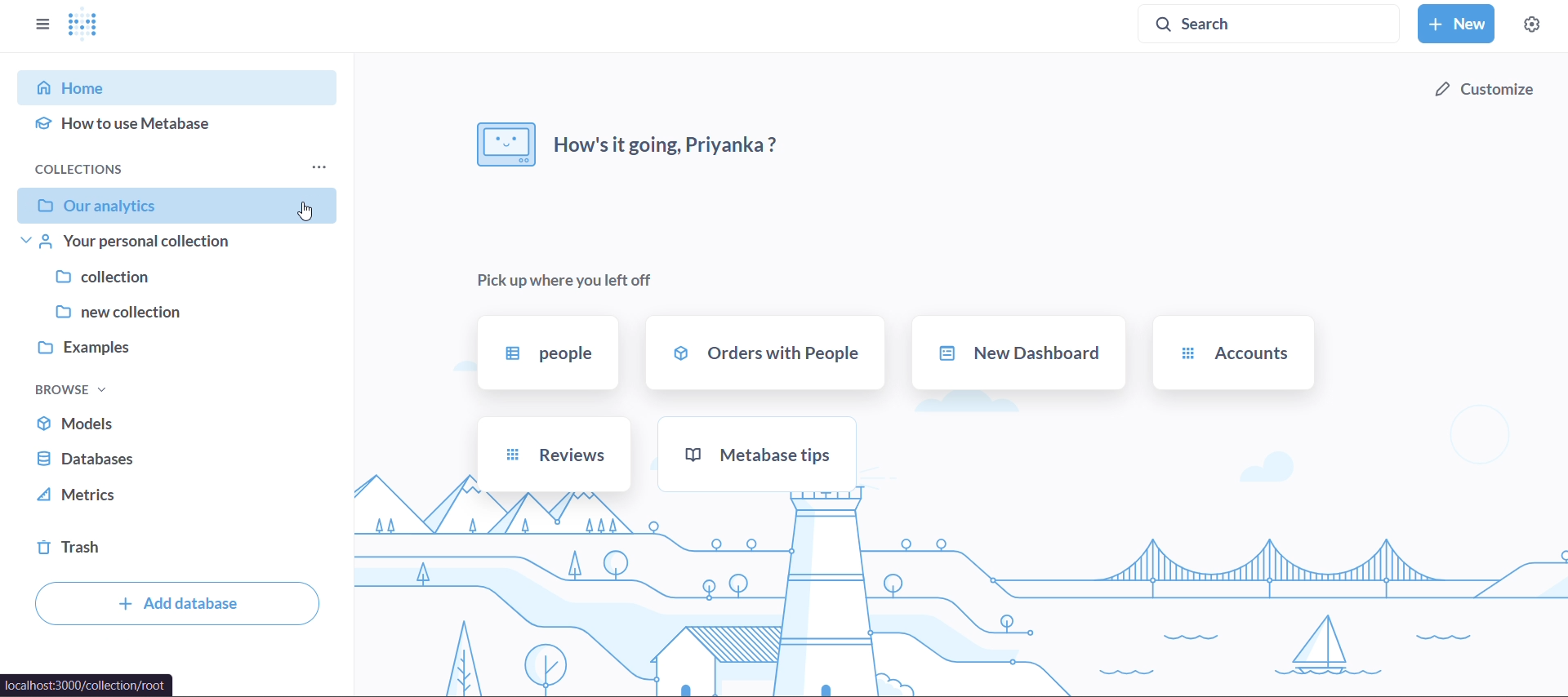  Describe the element at coordinates (1232, 353) in the screenshot. I see `accounts` at that location.